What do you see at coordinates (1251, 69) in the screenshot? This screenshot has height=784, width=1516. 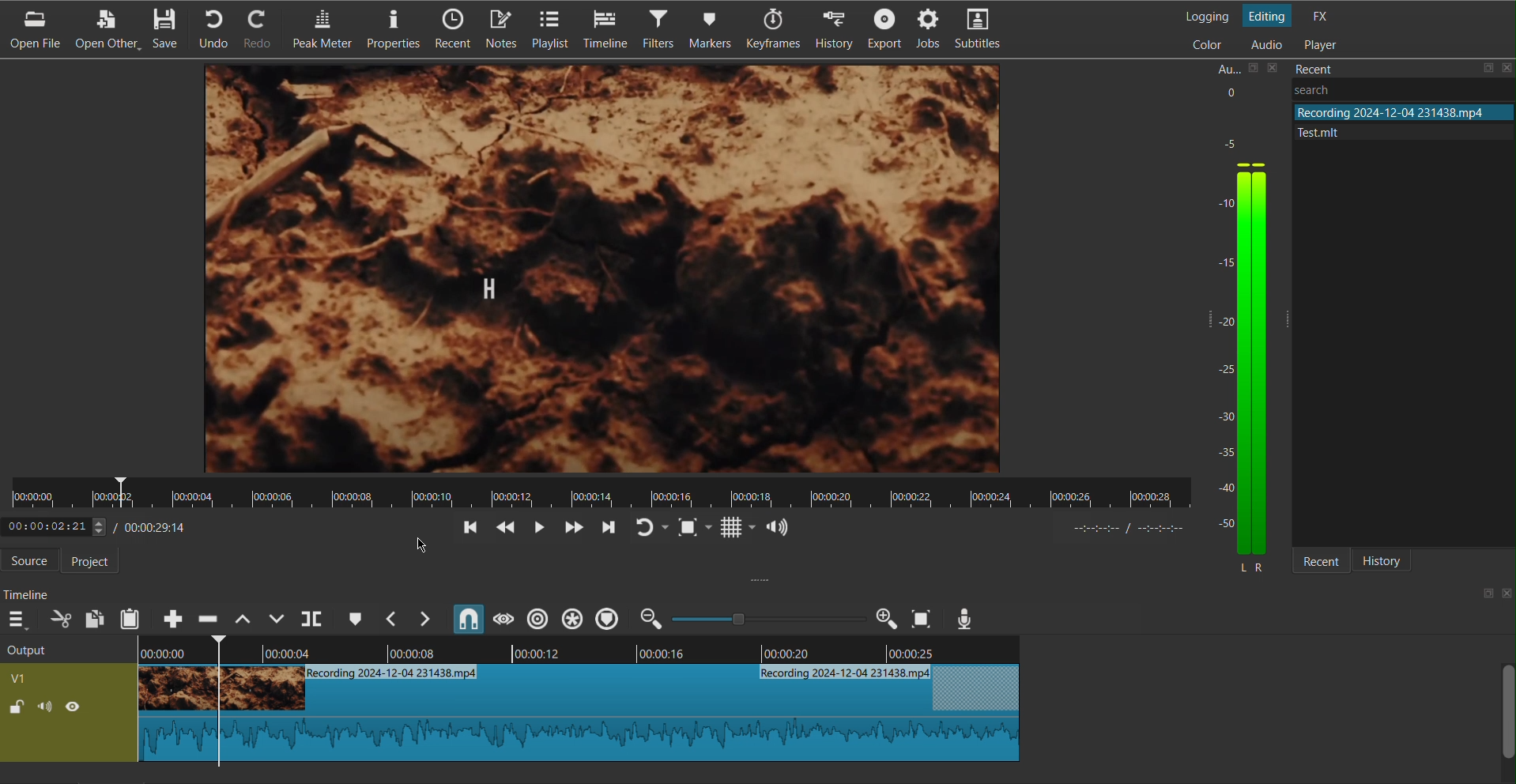 I see `save` at bounding box center [1251, 69].